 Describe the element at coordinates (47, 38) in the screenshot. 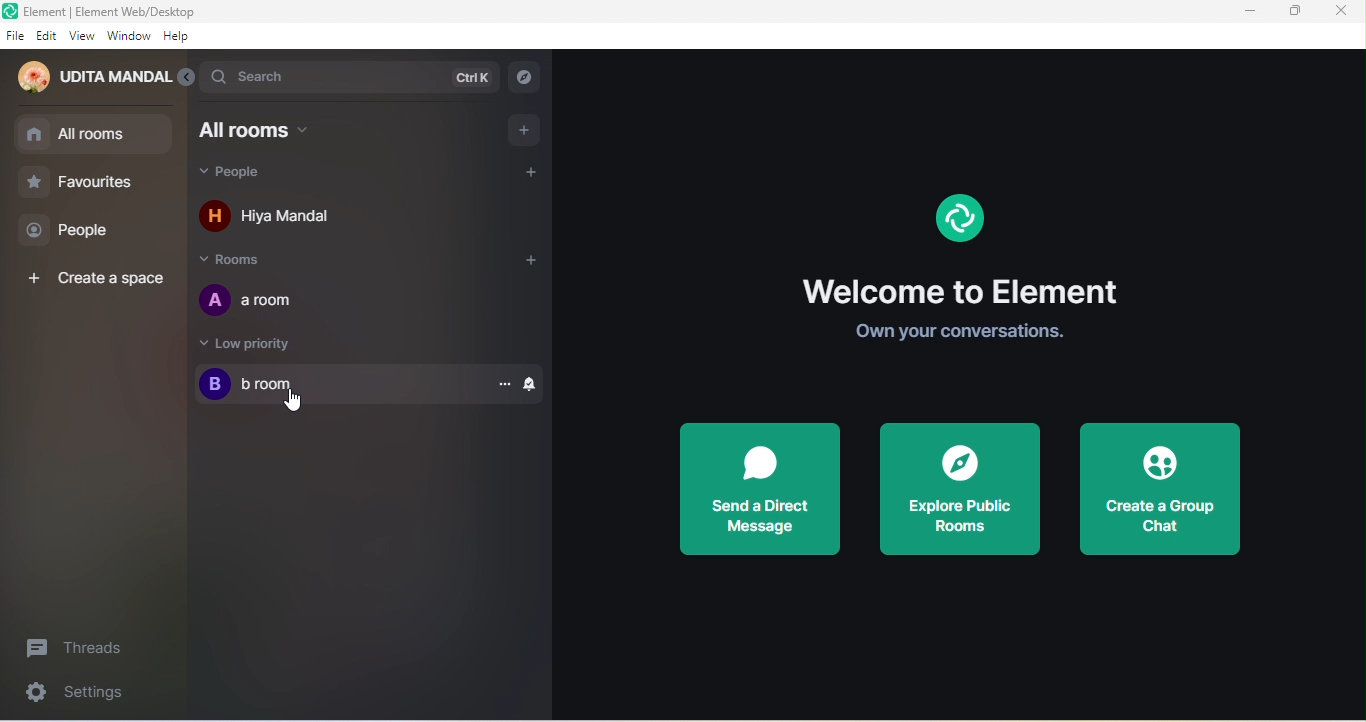

I see `edit` at that location.